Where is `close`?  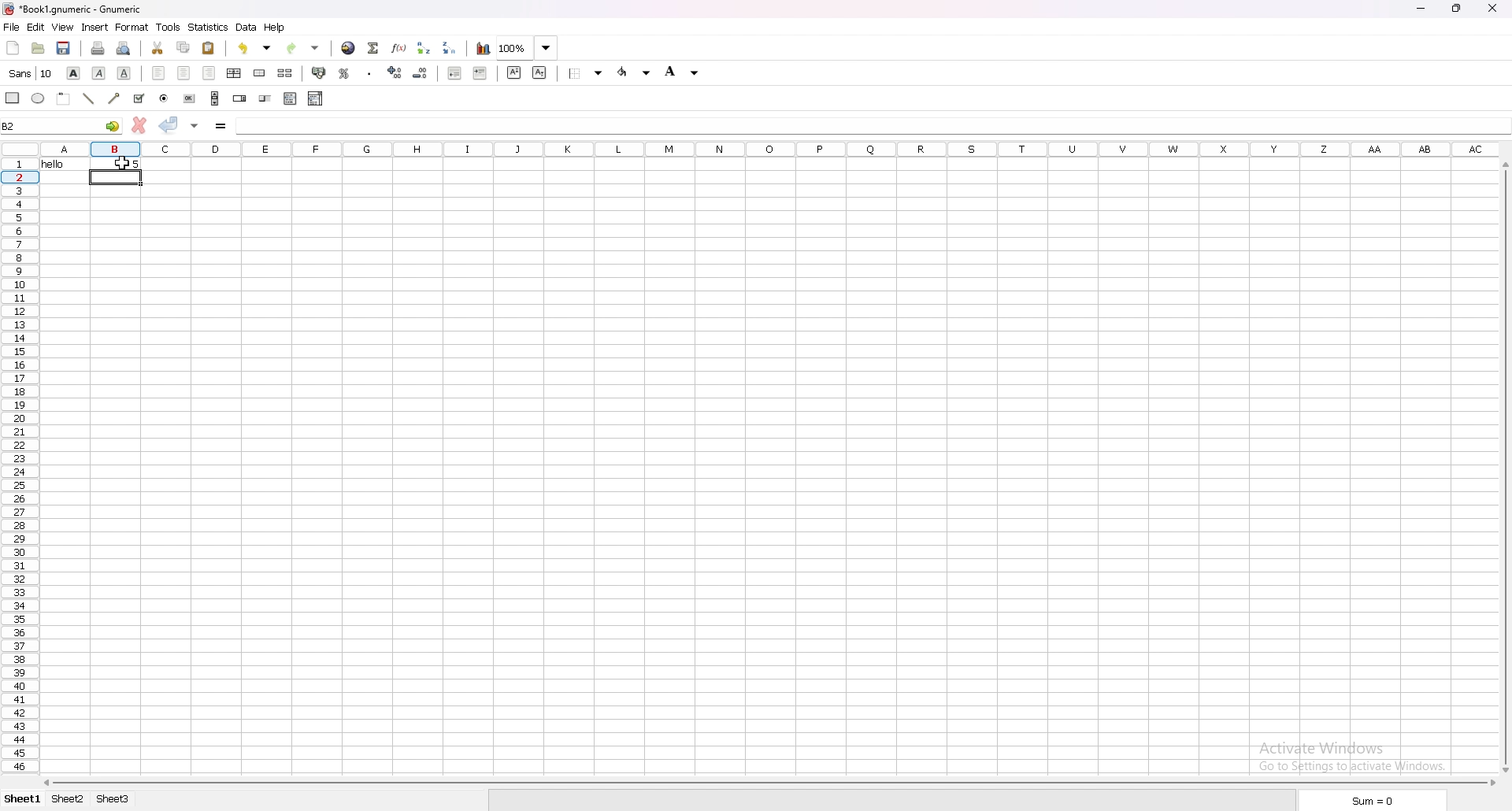
close is located at coordinates (1492, 8).